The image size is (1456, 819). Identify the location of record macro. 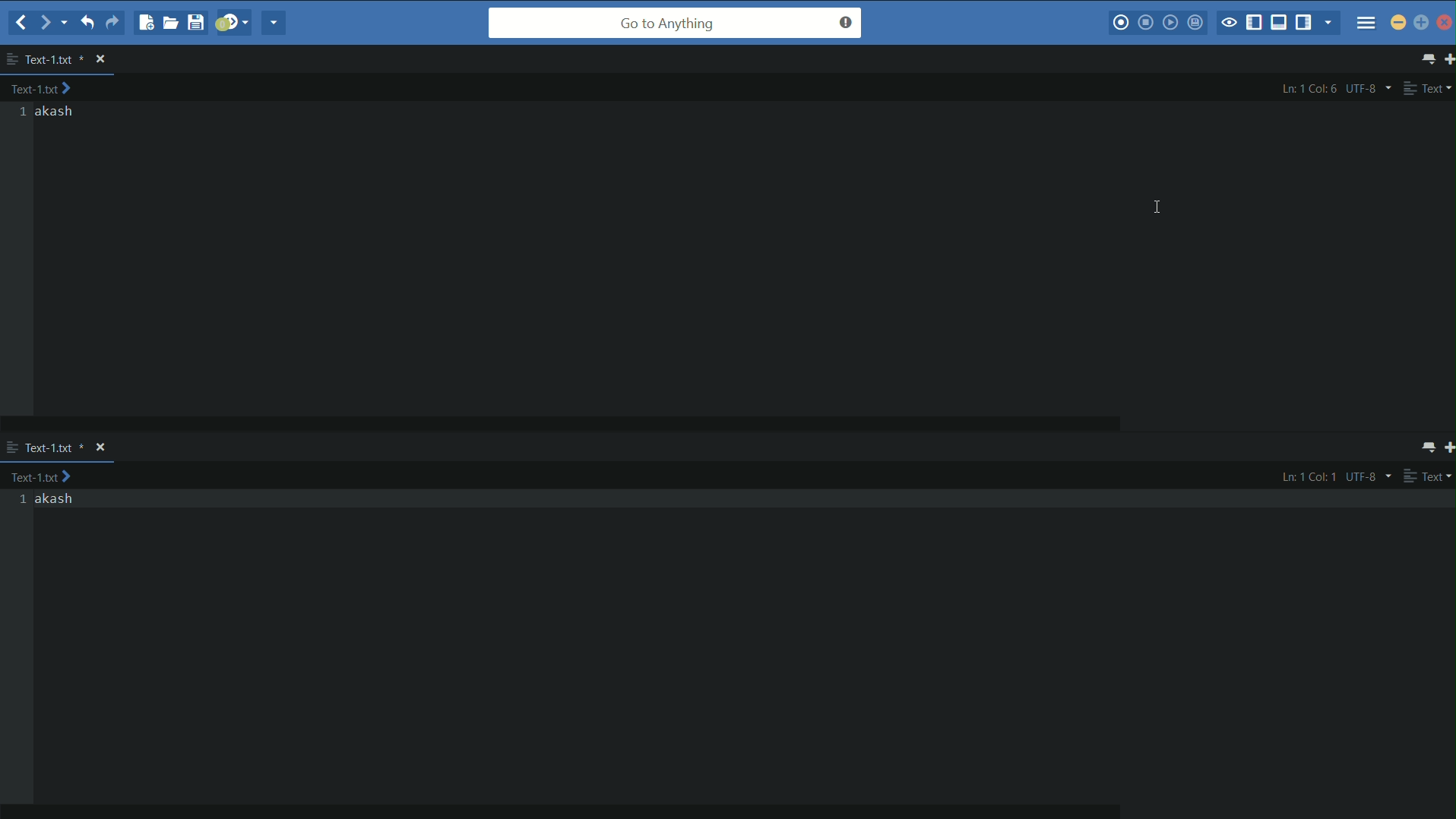
(1121, 23).